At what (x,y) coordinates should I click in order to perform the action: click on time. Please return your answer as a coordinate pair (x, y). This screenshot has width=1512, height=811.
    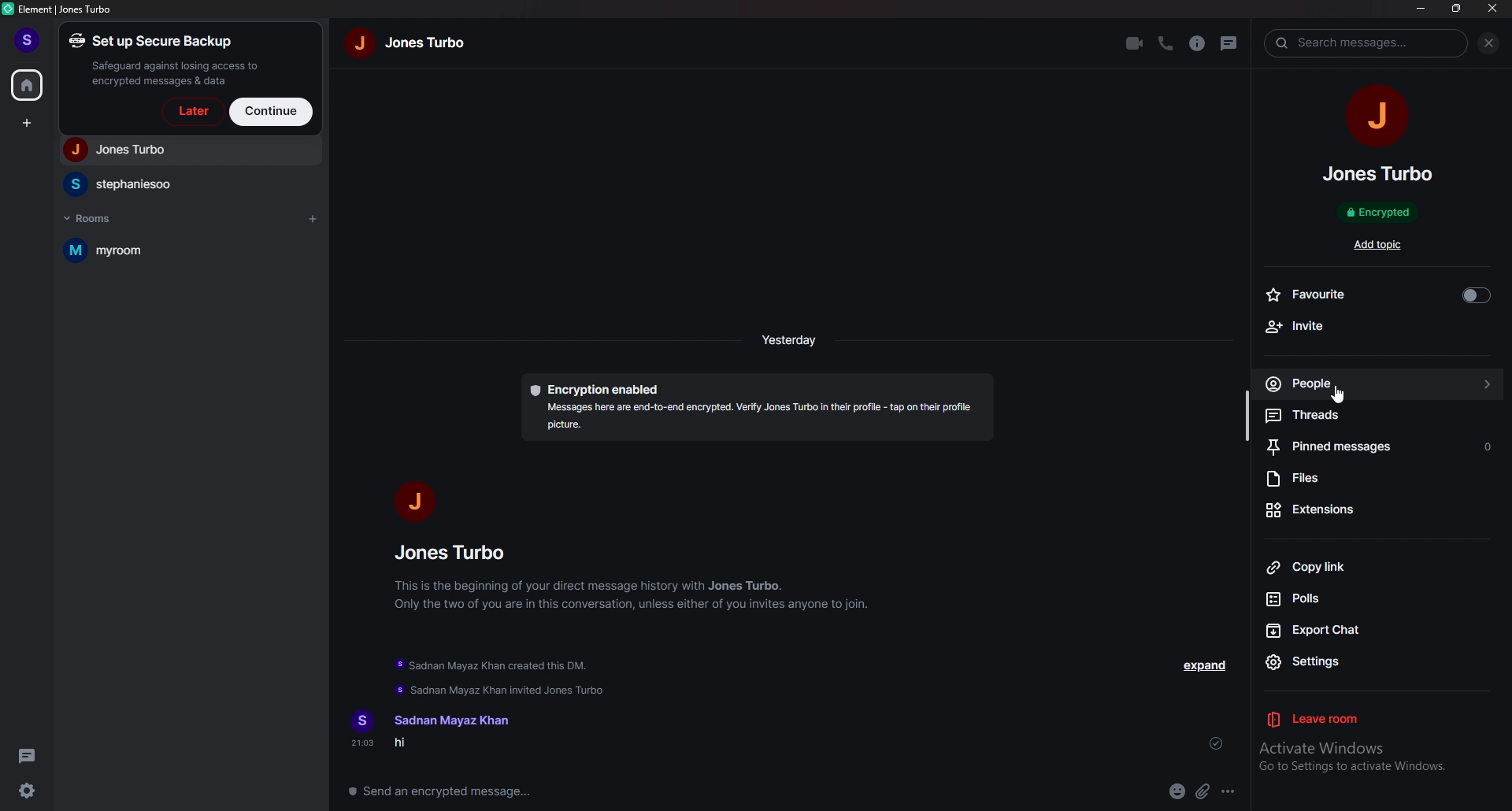
    Looking at the image, I should click on (791, 339).